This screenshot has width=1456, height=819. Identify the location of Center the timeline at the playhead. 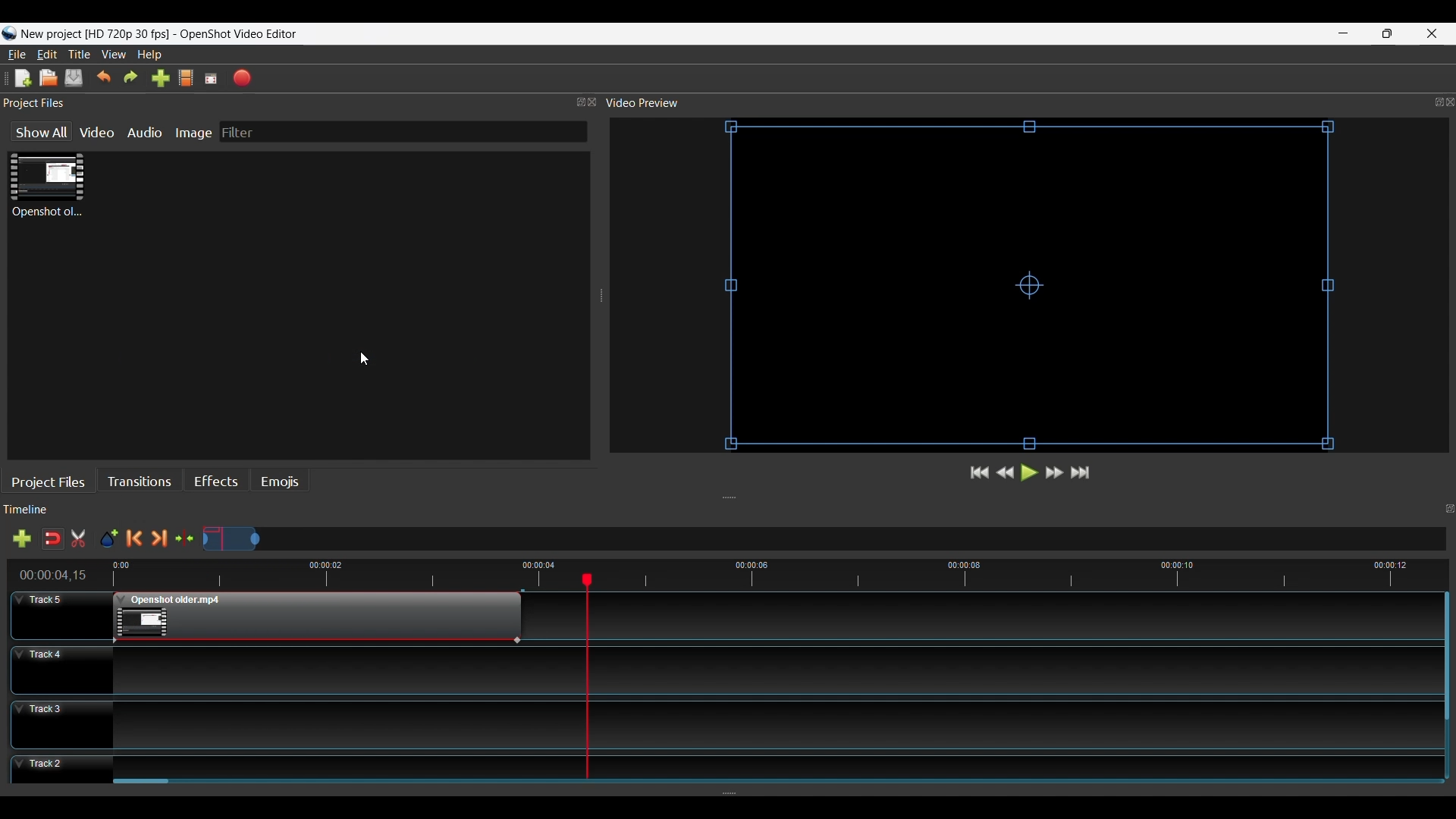
(188, 539).